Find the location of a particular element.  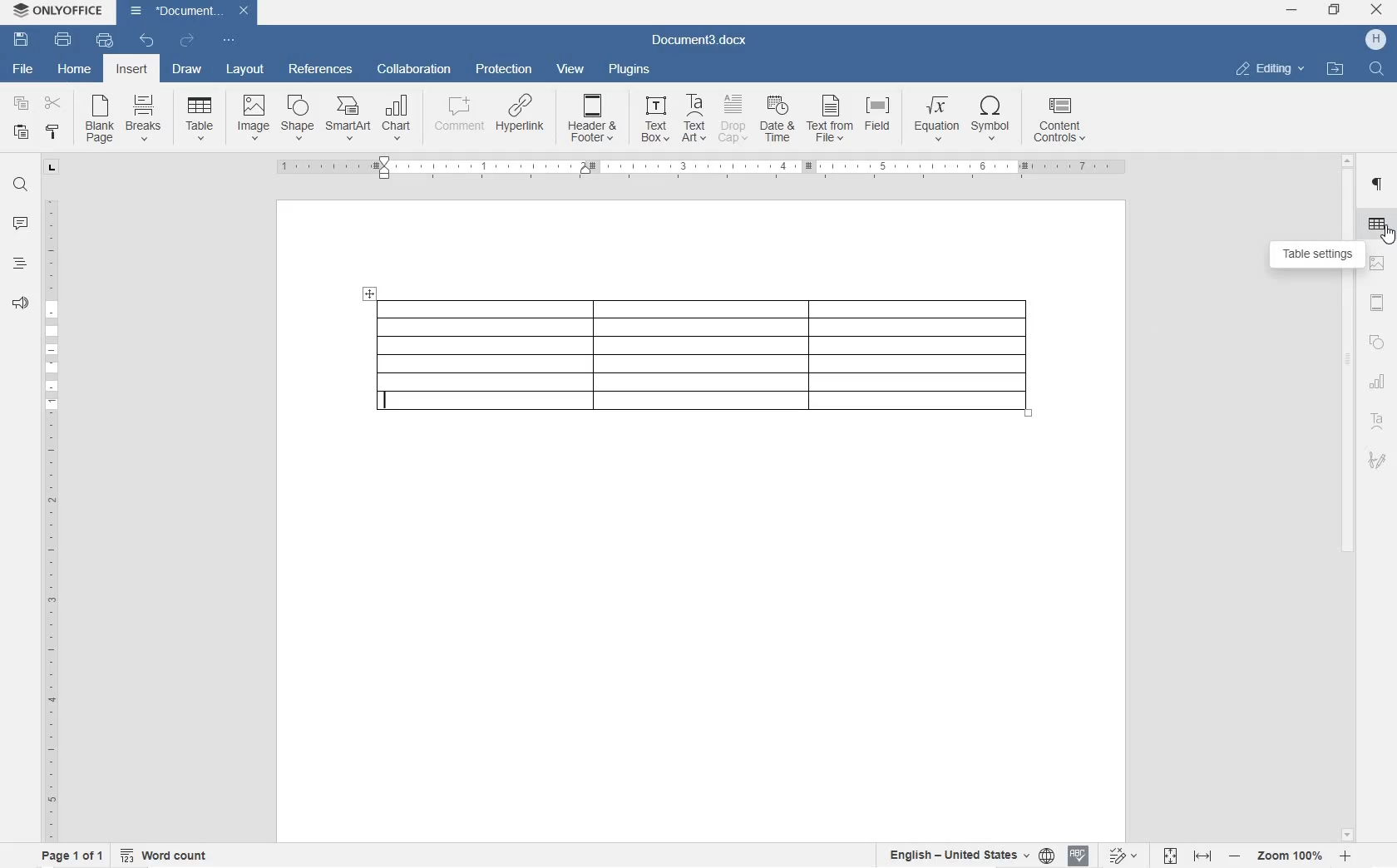

PLUGINS is located at coordinates (630, 70).